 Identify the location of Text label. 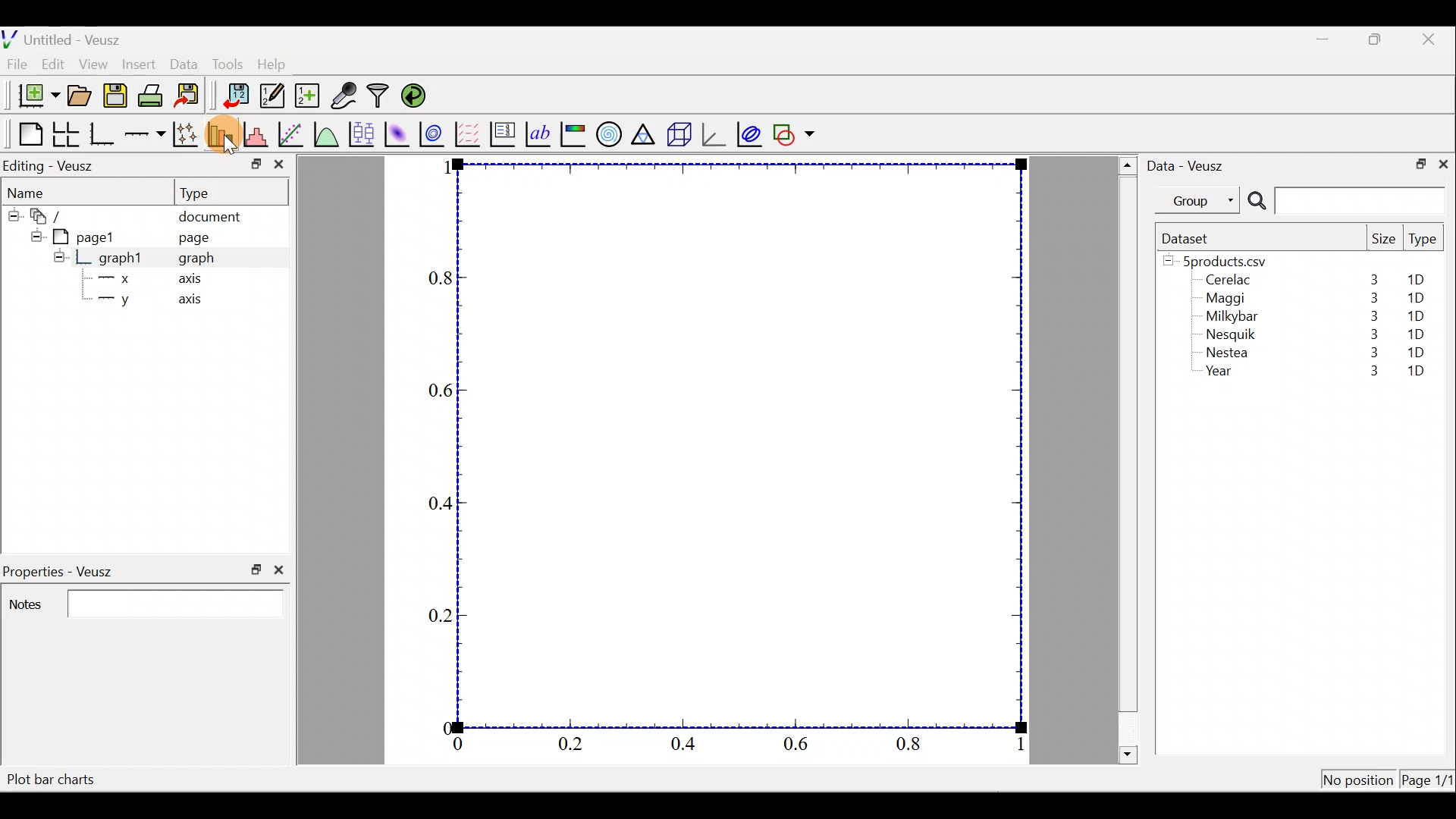
(540, 132).